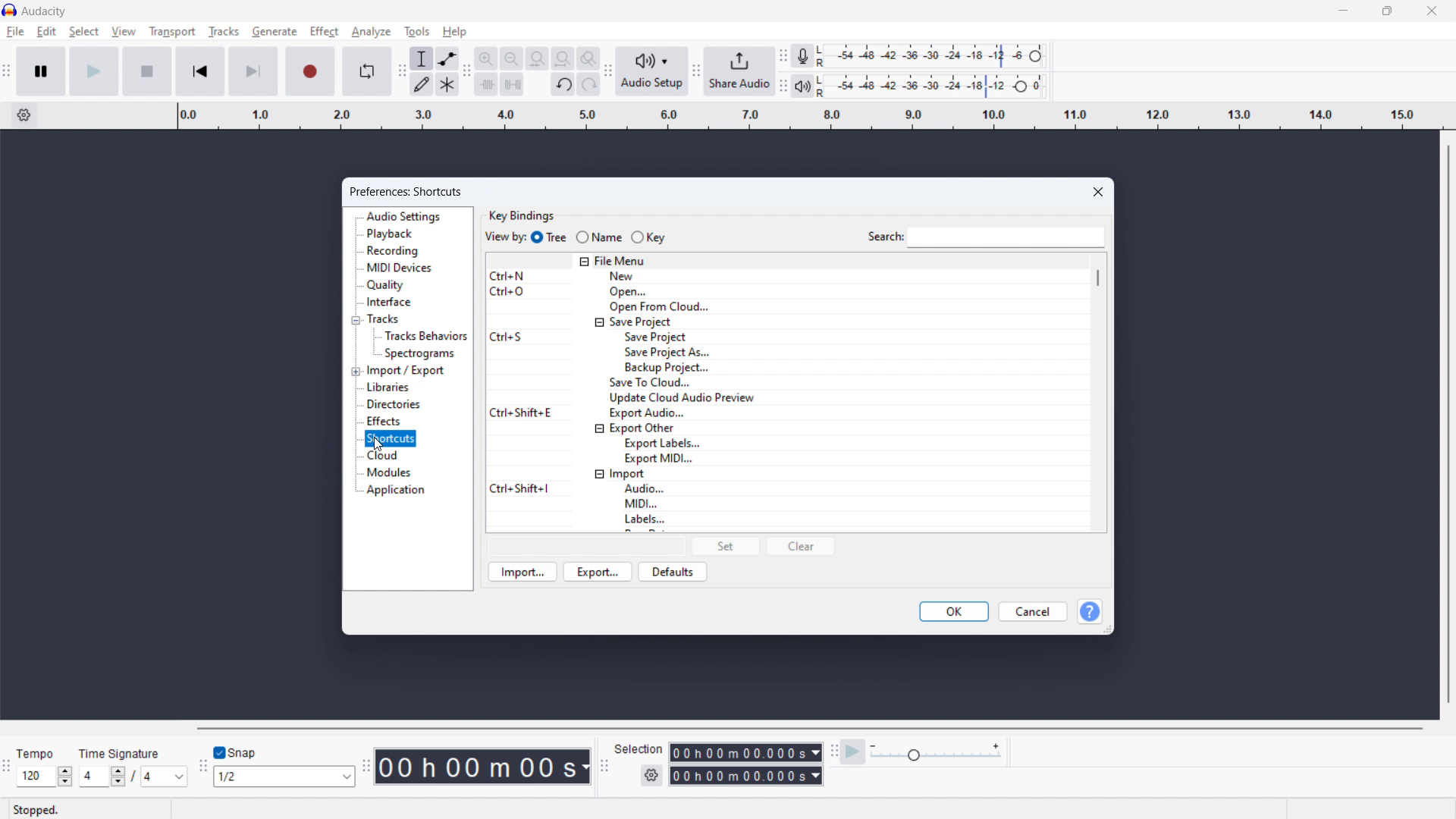 Image resolution: width=1456 pixels, height=819 pixels. Describe the element at coordinates (406, 372) in the screenshot. I see `import/export` at that location.